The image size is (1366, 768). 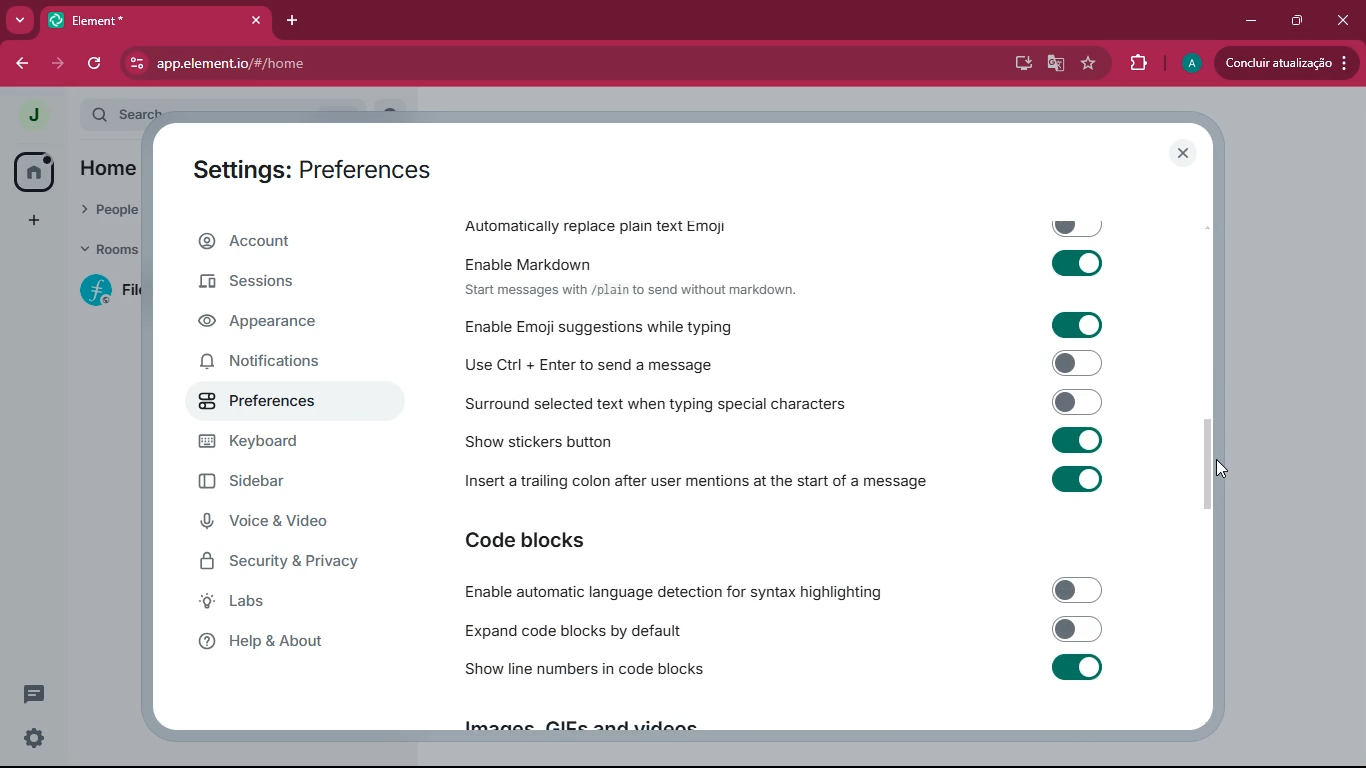 What do you see at coordinates (253, 111) in the screenshot?
I see `Search` at bounding box center [253, 111].